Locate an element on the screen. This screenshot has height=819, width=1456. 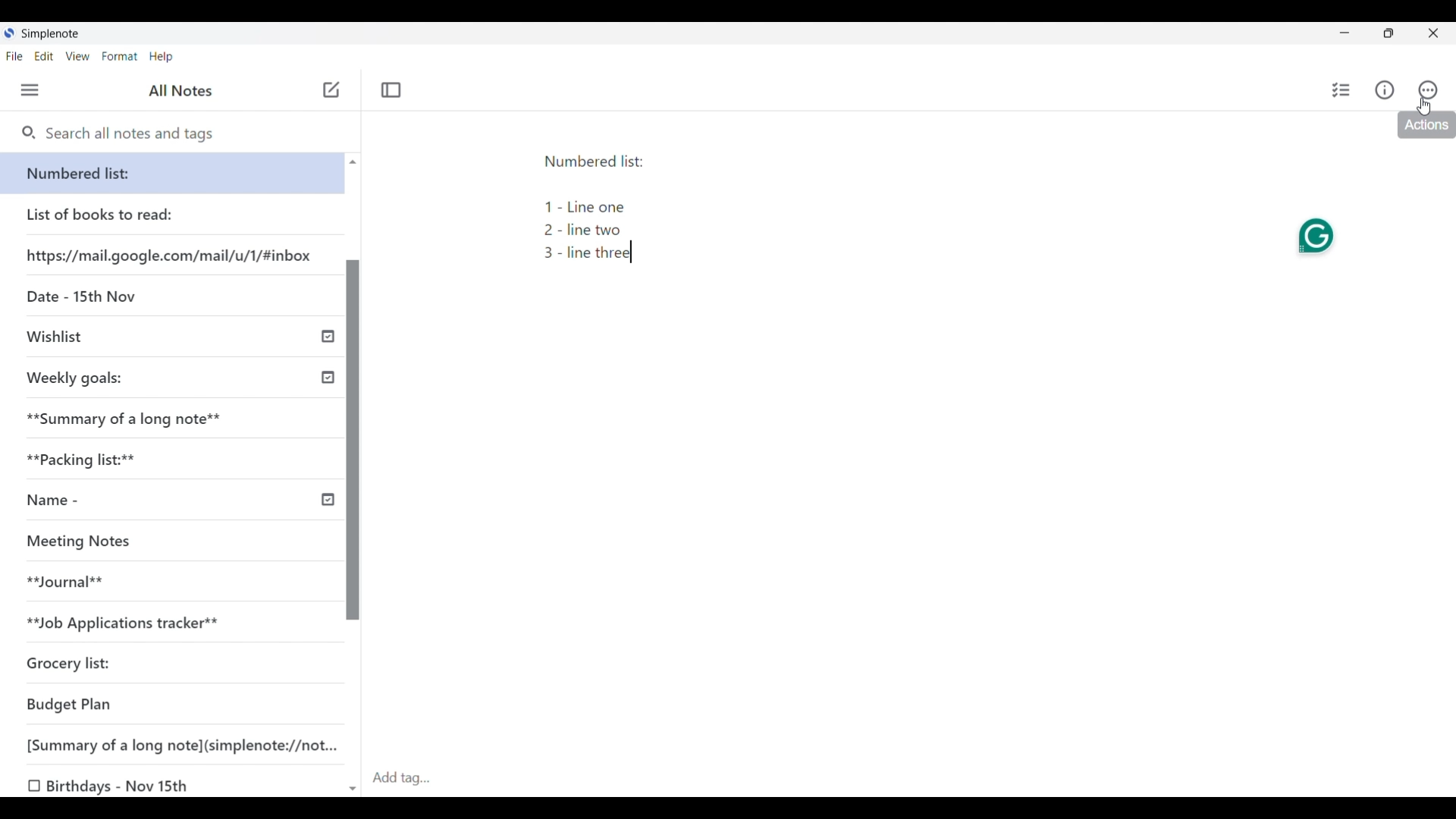
Help menu is located at coordinates (161, 58).